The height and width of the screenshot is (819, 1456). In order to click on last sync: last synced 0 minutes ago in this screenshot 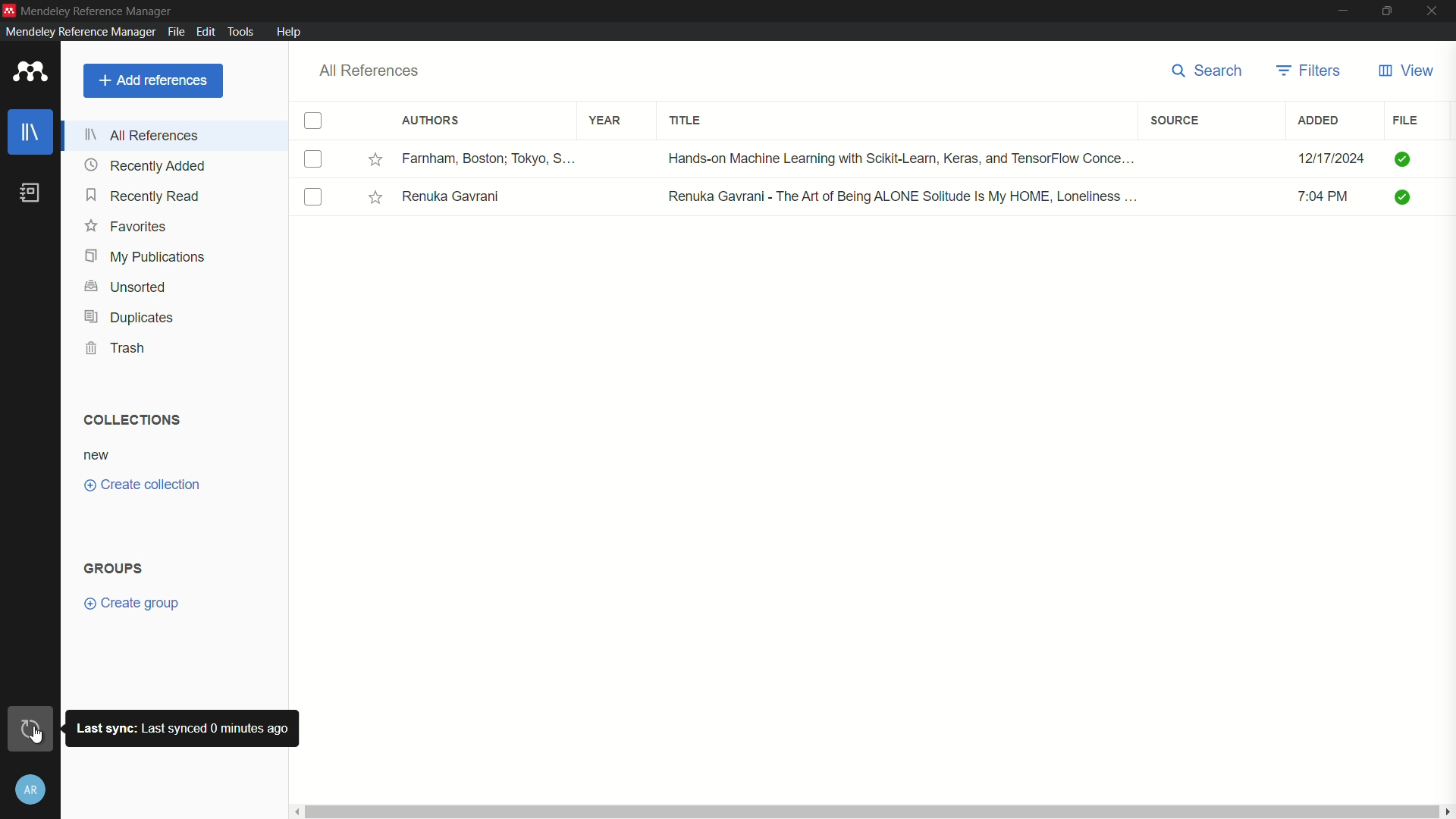, I will do `click(183, 728)`.